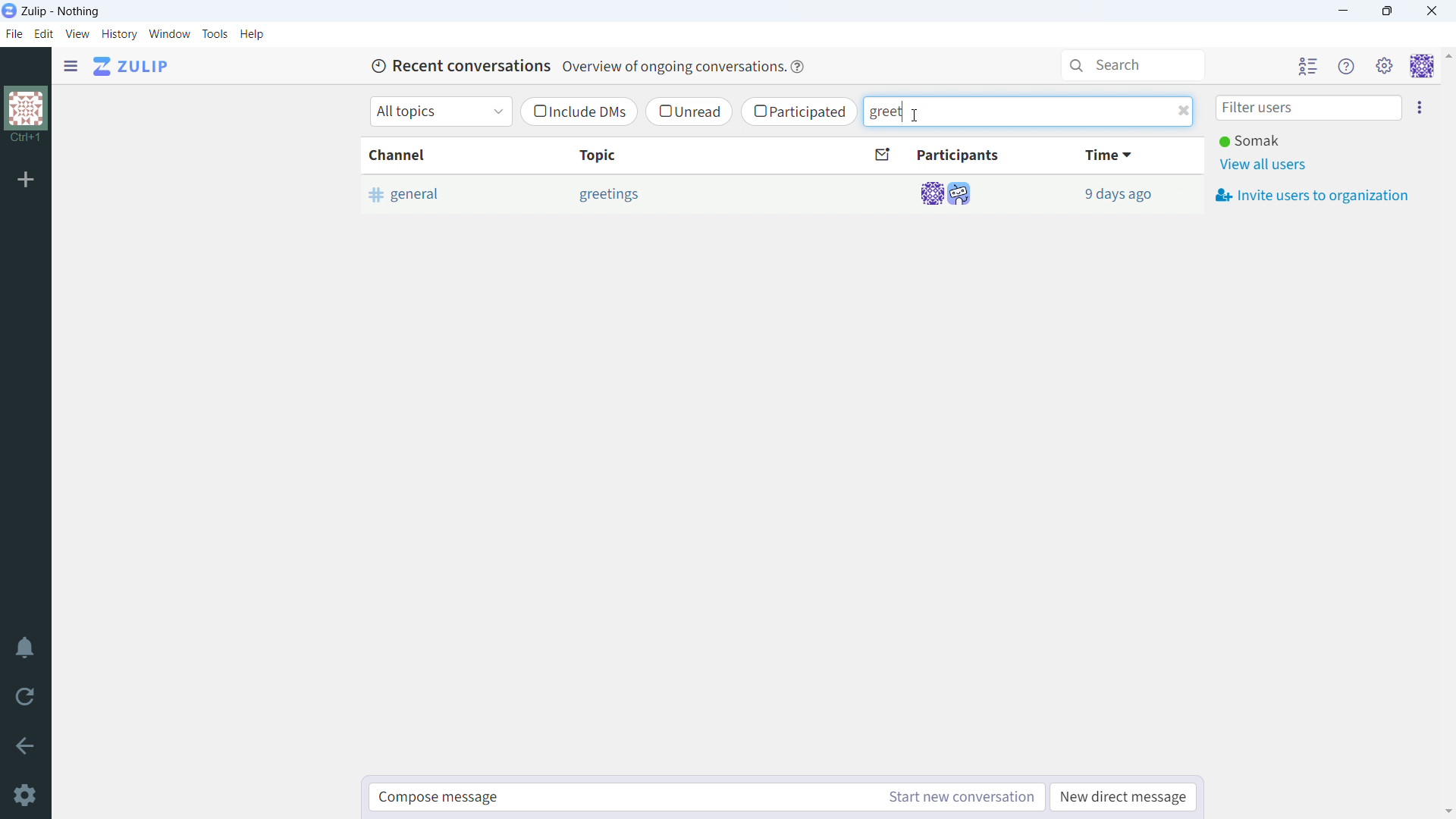 The width and height of the screenshot is (1456, 819). I want to click on minimize, so click(1344, 11).